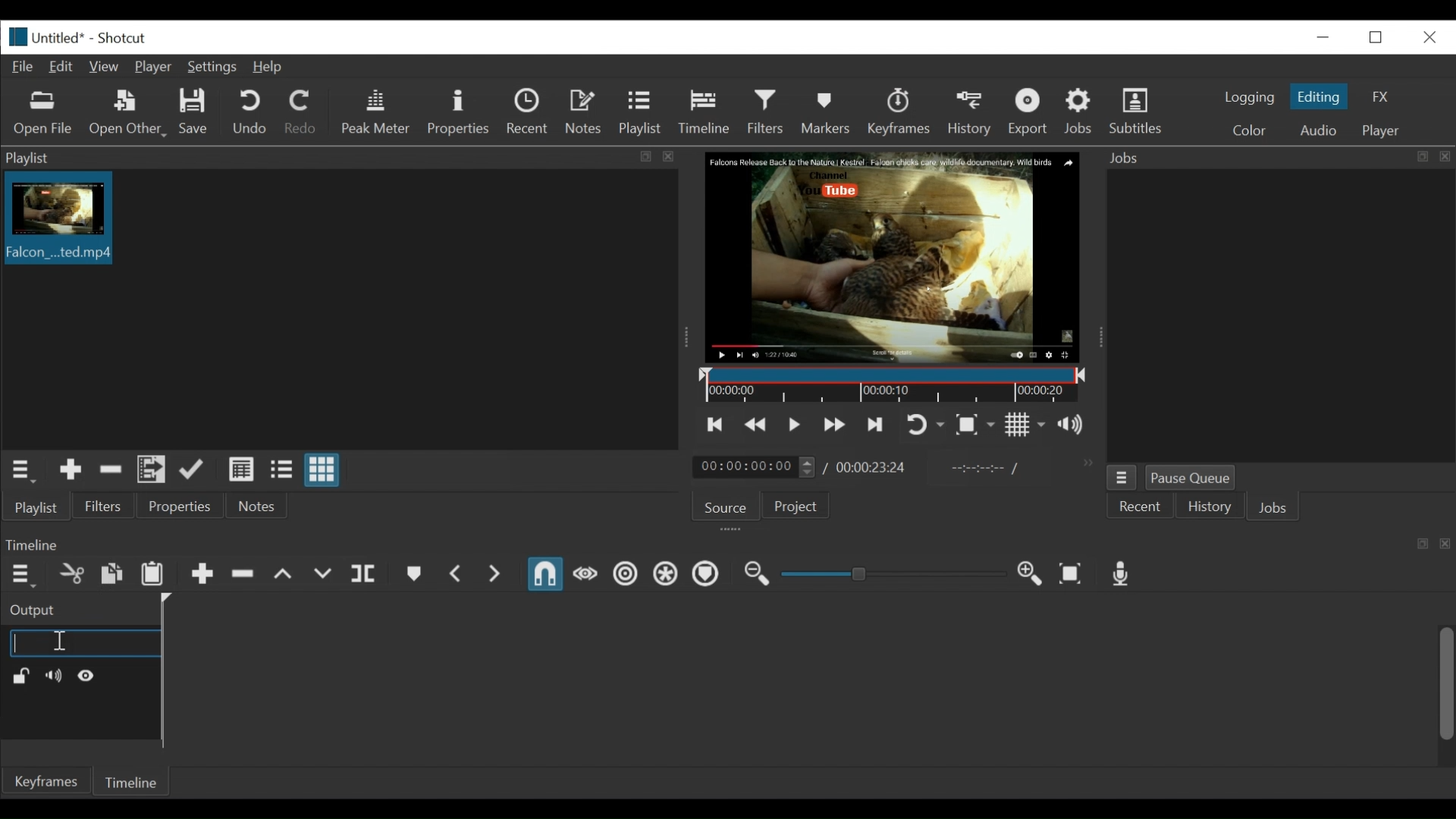 The height and width of the screenshot is (819, 1456). I want to click on History, so click(1208, 507).